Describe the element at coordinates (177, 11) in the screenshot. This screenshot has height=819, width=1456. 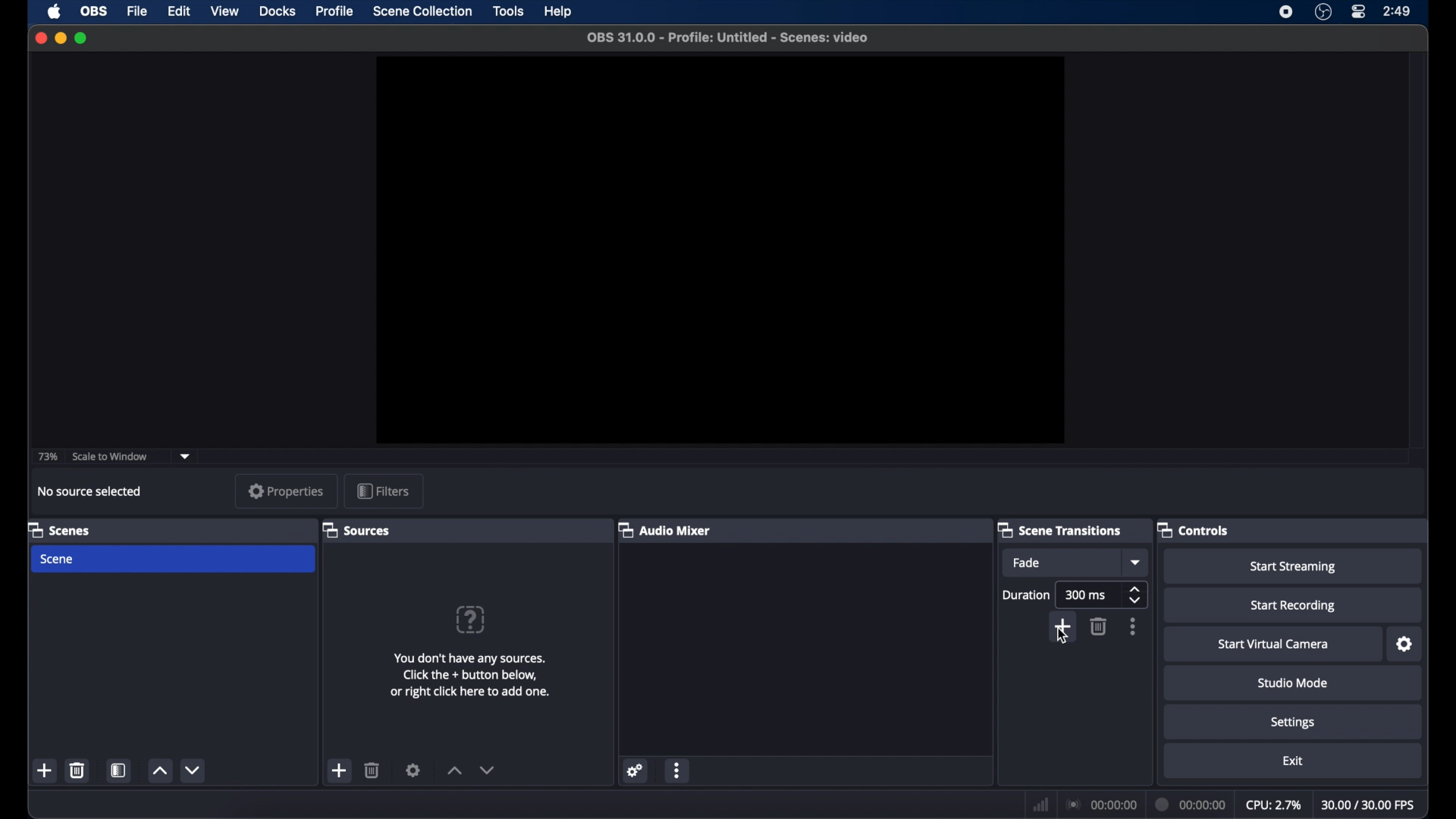
I see `edit` at that location.